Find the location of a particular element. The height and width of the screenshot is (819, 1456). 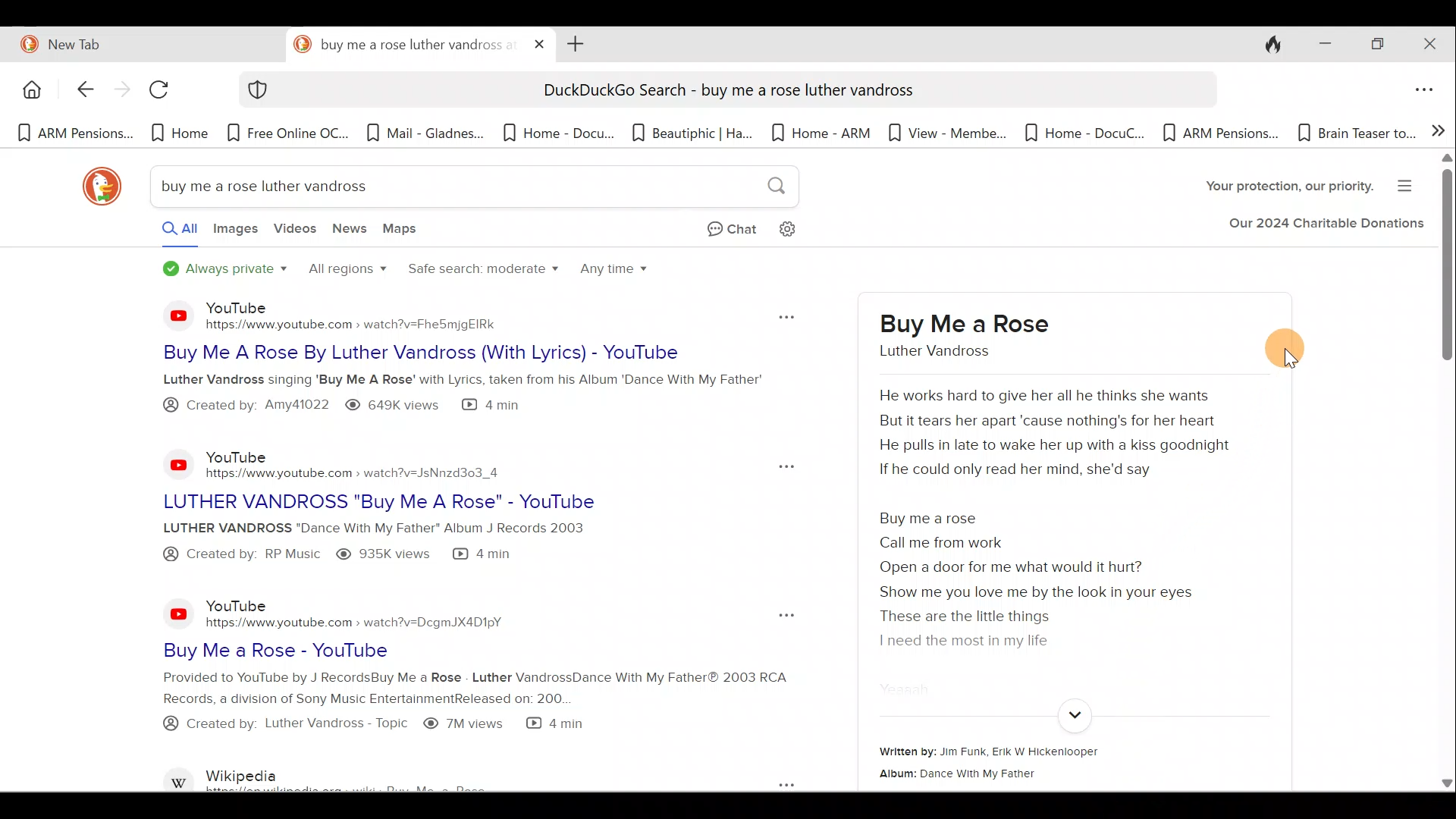

Pop out is located at coordinates (773, 465).